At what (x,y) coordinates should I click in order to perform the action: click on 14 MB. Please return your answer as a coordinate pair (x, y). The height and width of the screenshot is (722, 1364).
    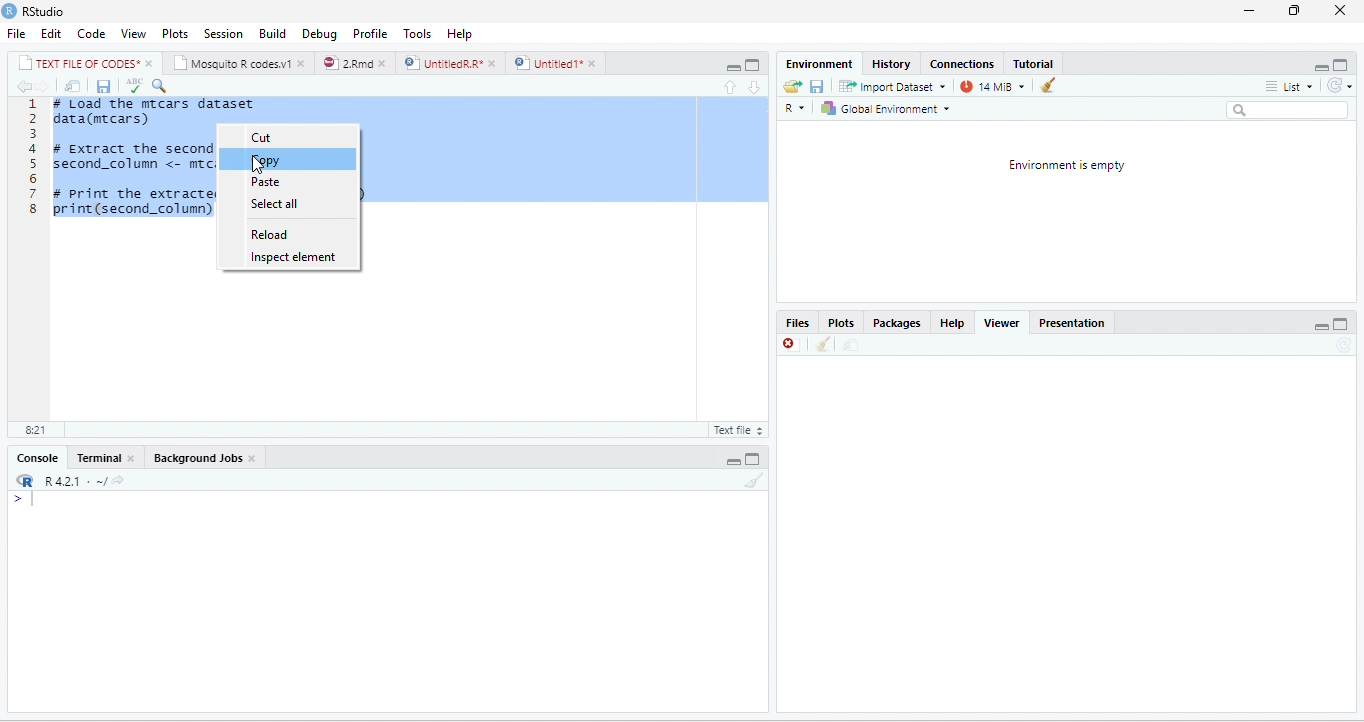
    Looking at the image, I should click on (993, 86).